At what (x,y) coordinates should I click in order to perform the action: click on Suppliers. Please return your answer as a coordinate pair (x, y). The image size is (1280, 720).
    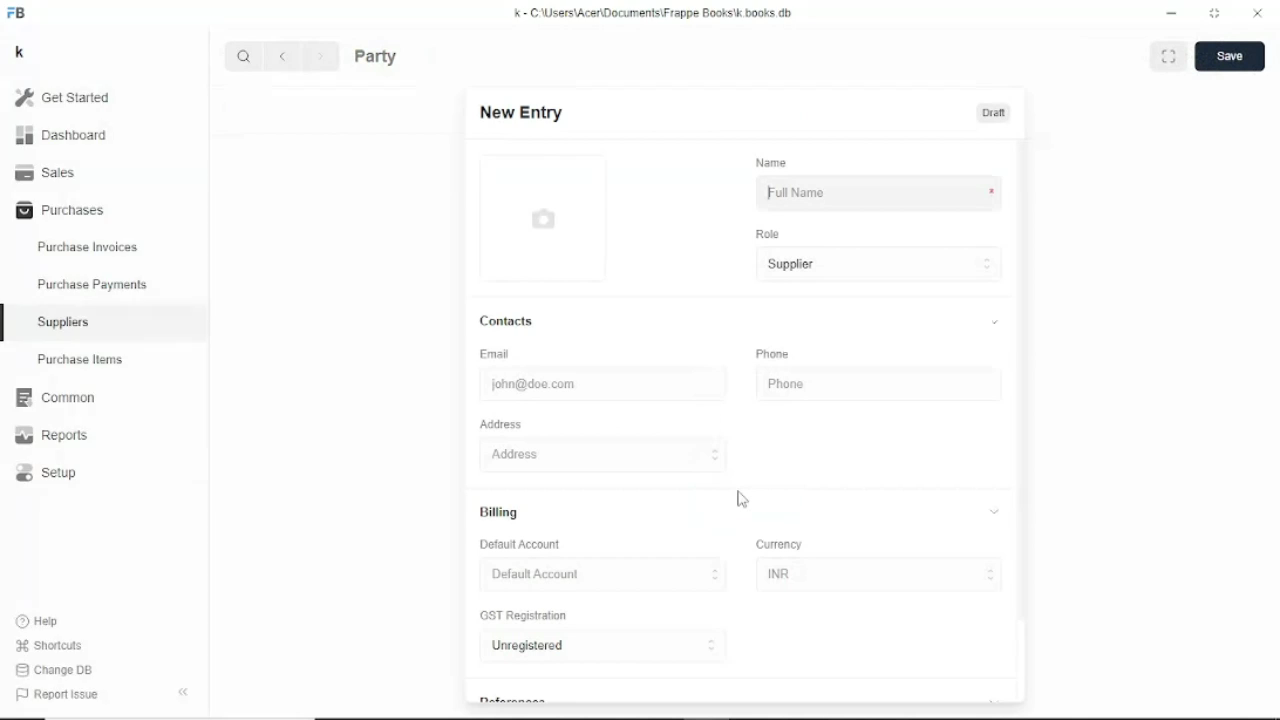
    Looking at the image, I should click on (64, 322).